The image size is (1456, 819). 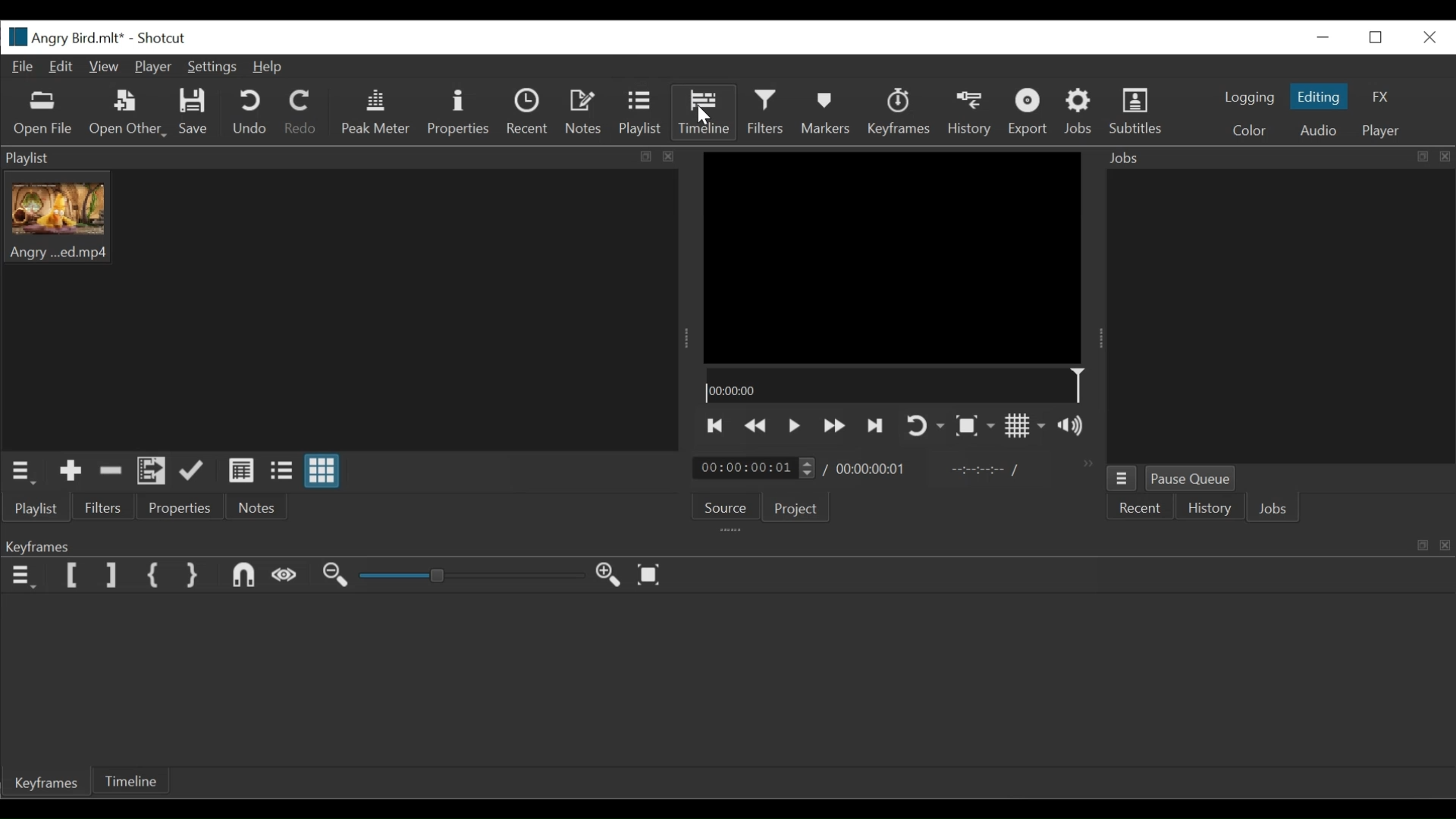 What do you see at coordinates (1247, 98) in the screenshot?
I see `logging` at bounding box center [1247, 98].